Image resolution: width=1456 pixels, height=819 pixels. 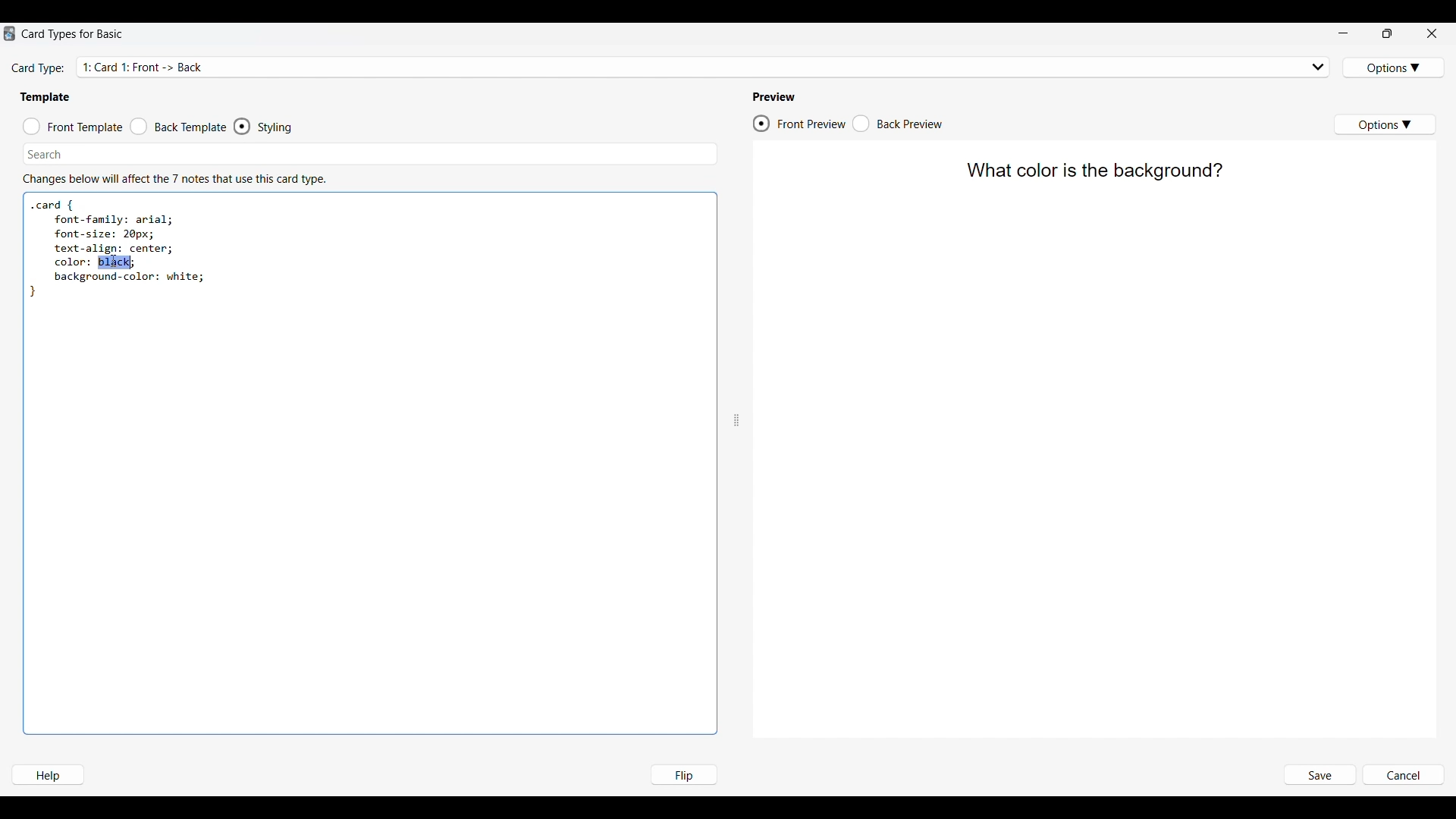 What do you see at coordinates (73, 127) in the screenshot?
I see `Front template` at bounding box center [73, 127].